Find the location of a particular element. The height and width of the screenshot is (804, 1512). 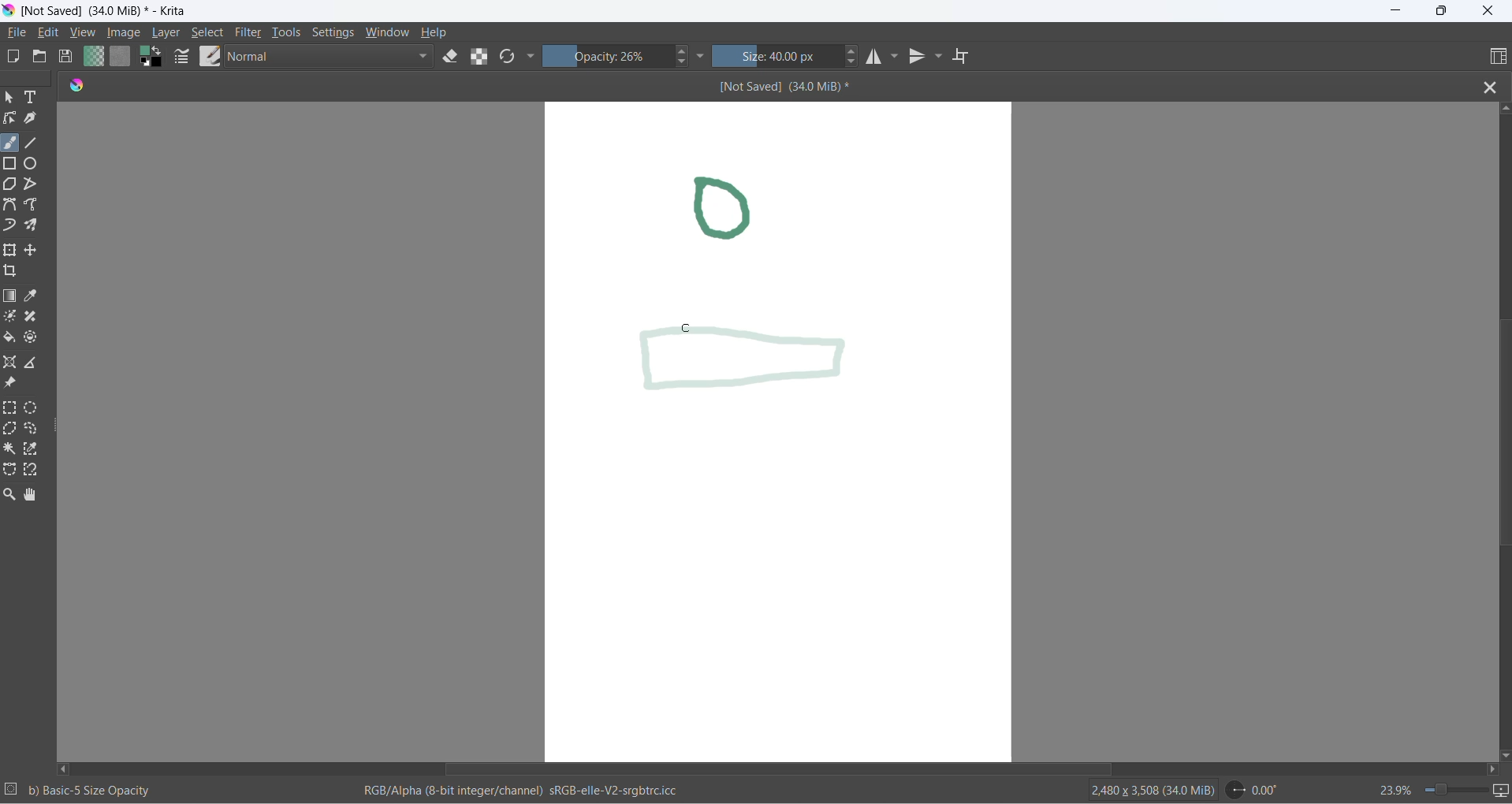

polygonal selection tool is located at coordinates (10, 430).